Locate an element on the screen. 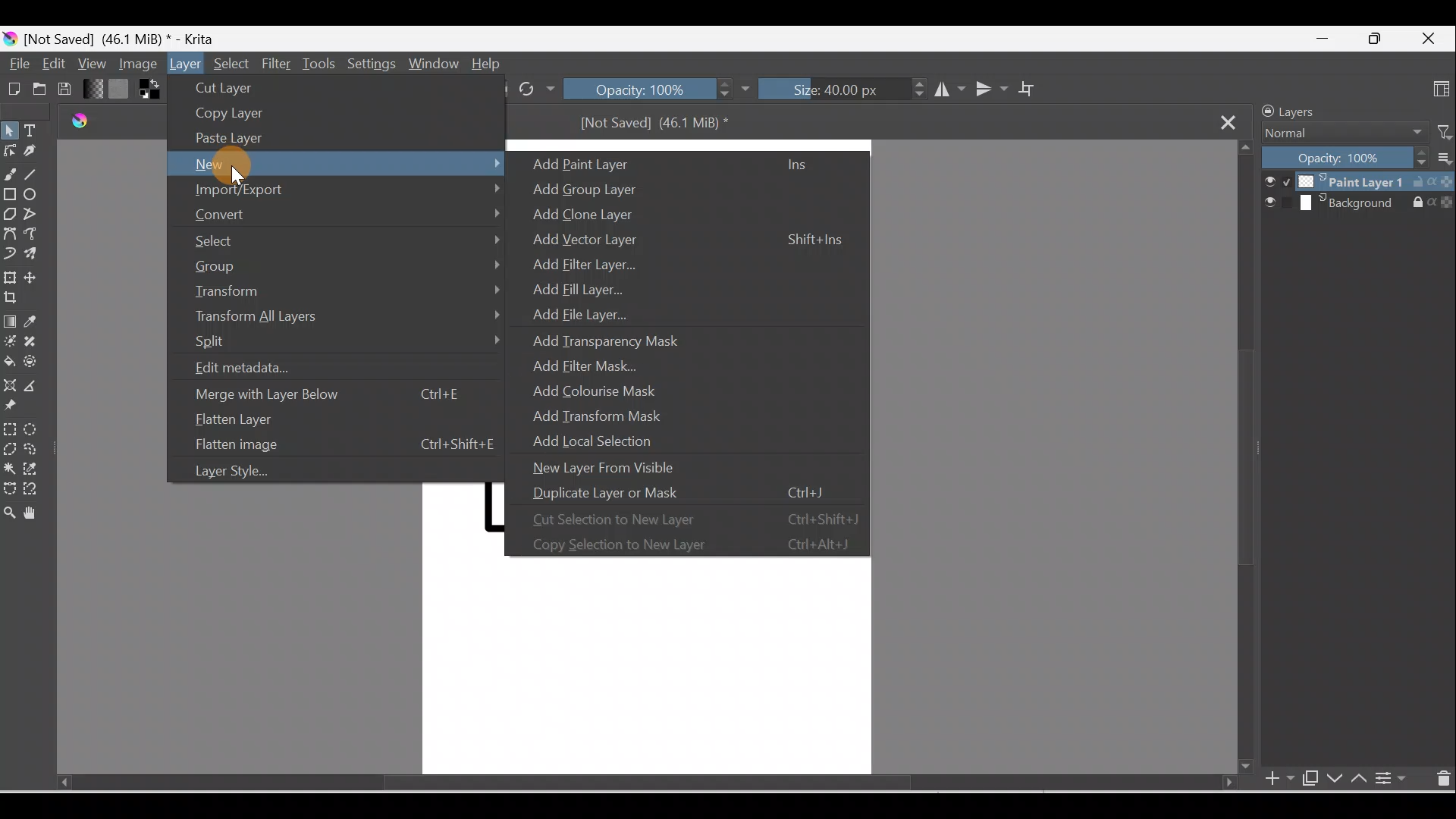  Add fill layer is located at coordinates (574, 287).